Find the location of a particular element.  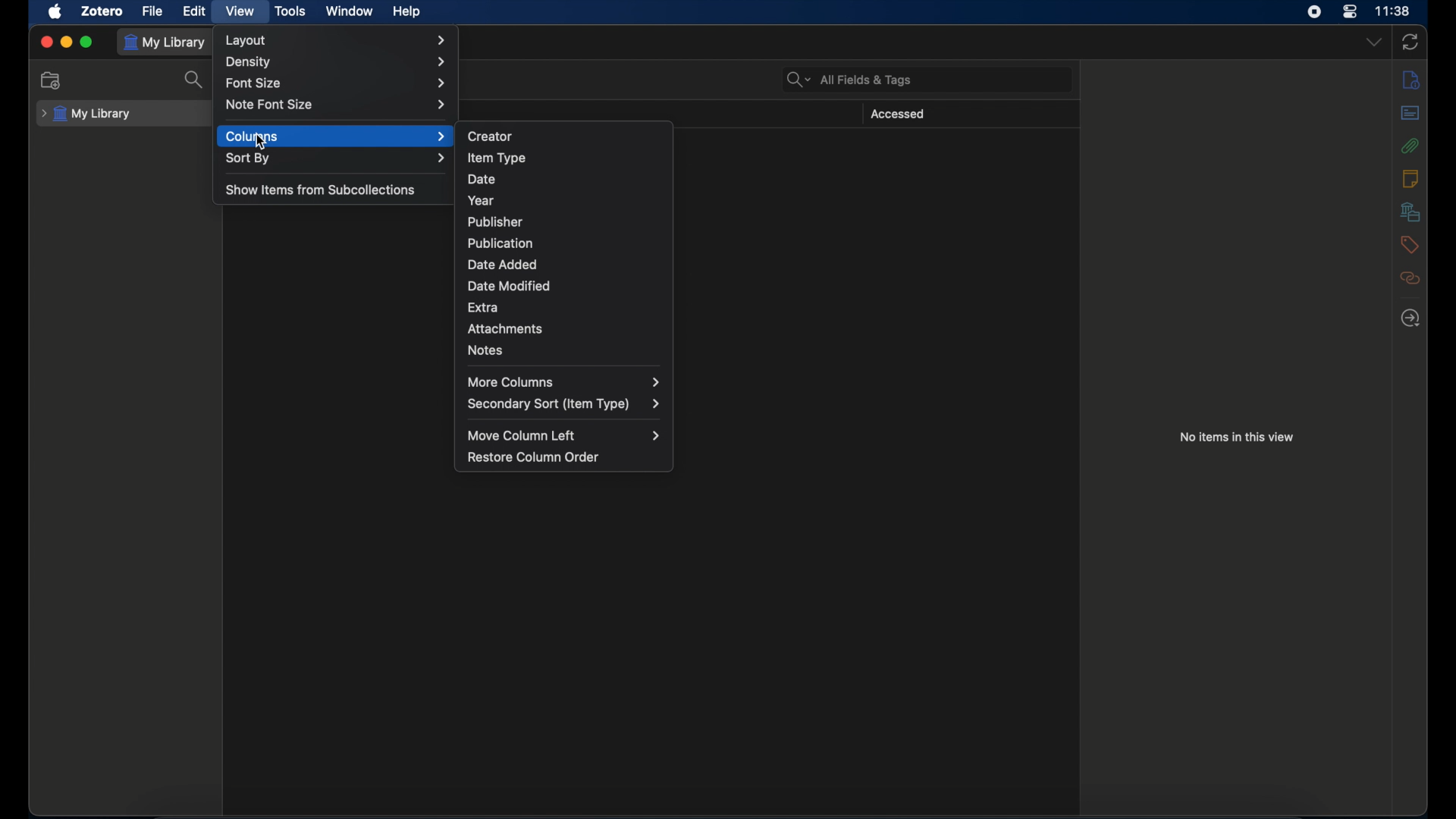

date is located at coordinates (481, 180).